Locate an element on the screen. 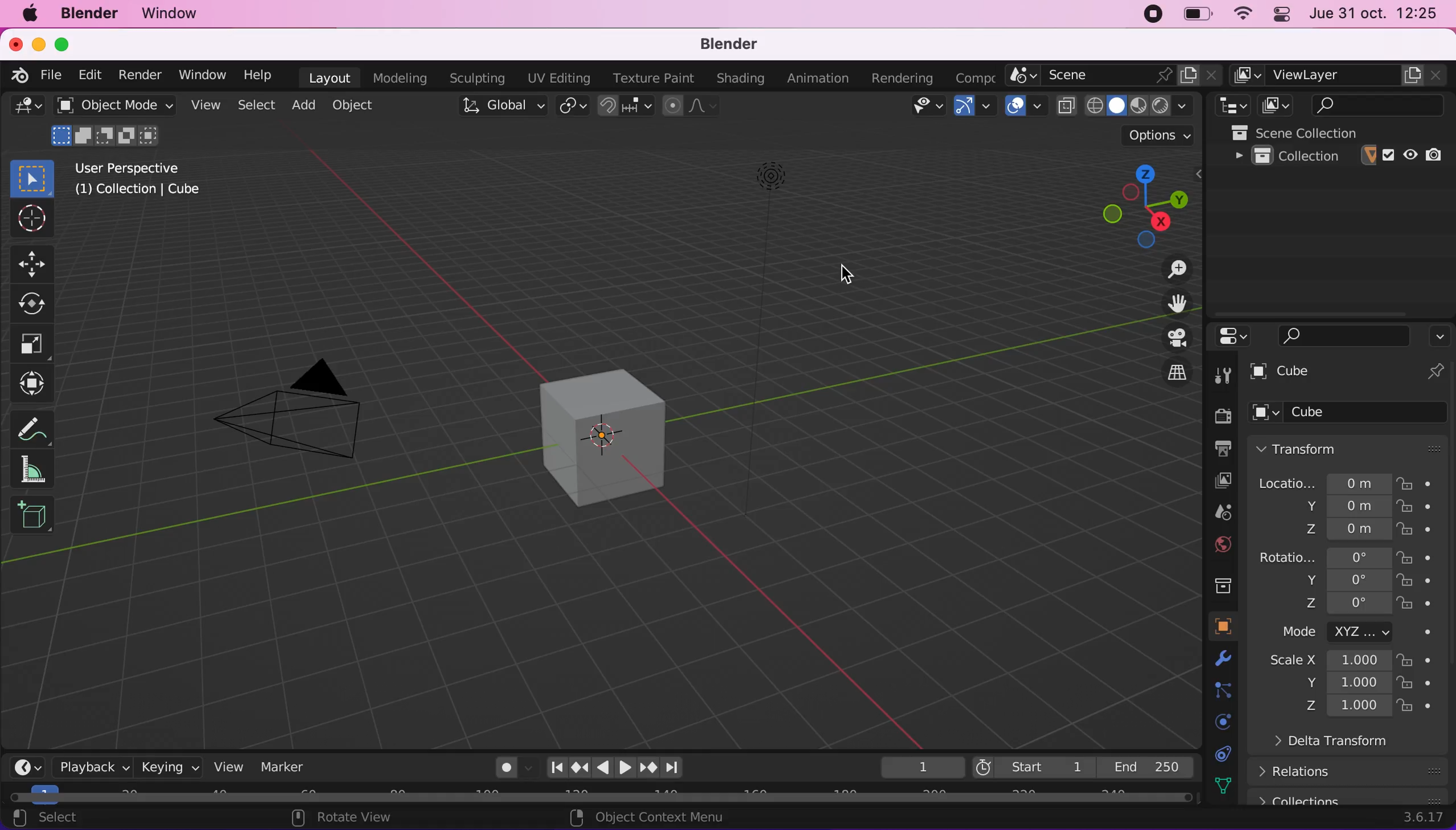  end 250 is located at coordinates (1145, 765).